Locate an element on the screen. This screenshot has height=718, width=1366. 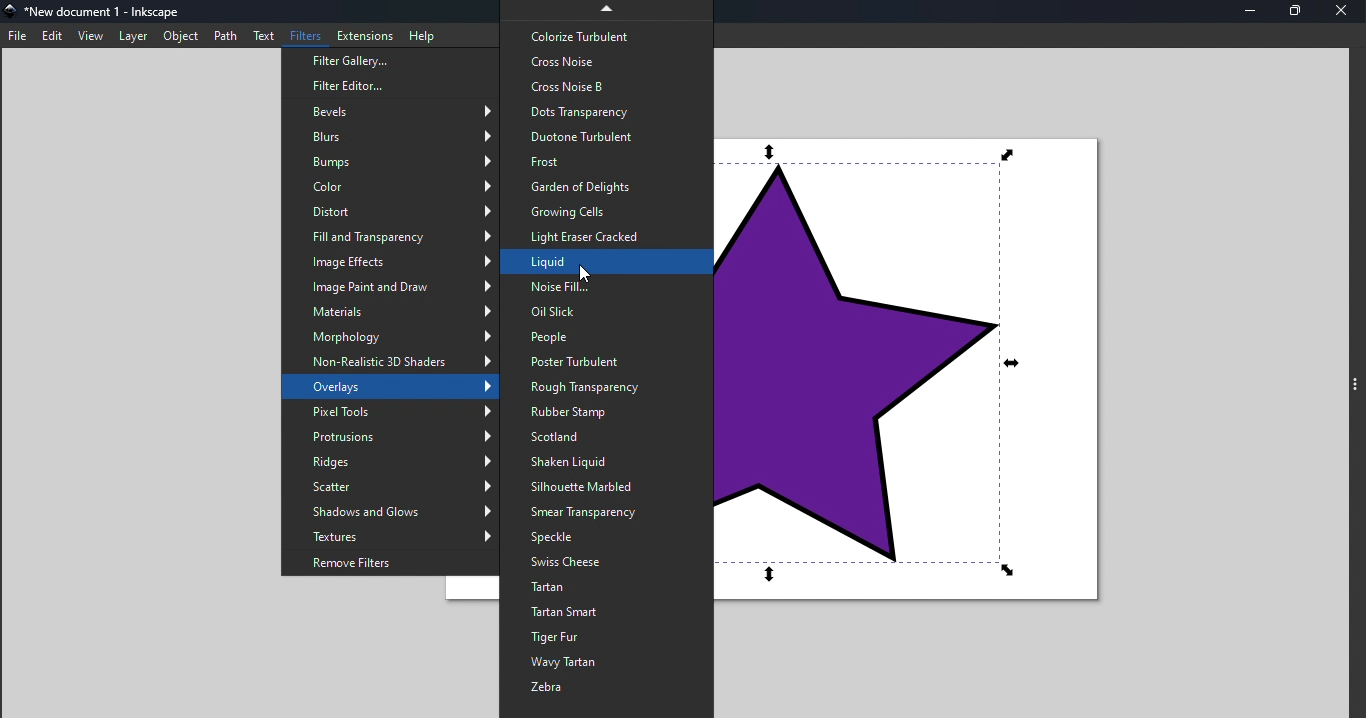
cursor is located at coordinates (587, 271).